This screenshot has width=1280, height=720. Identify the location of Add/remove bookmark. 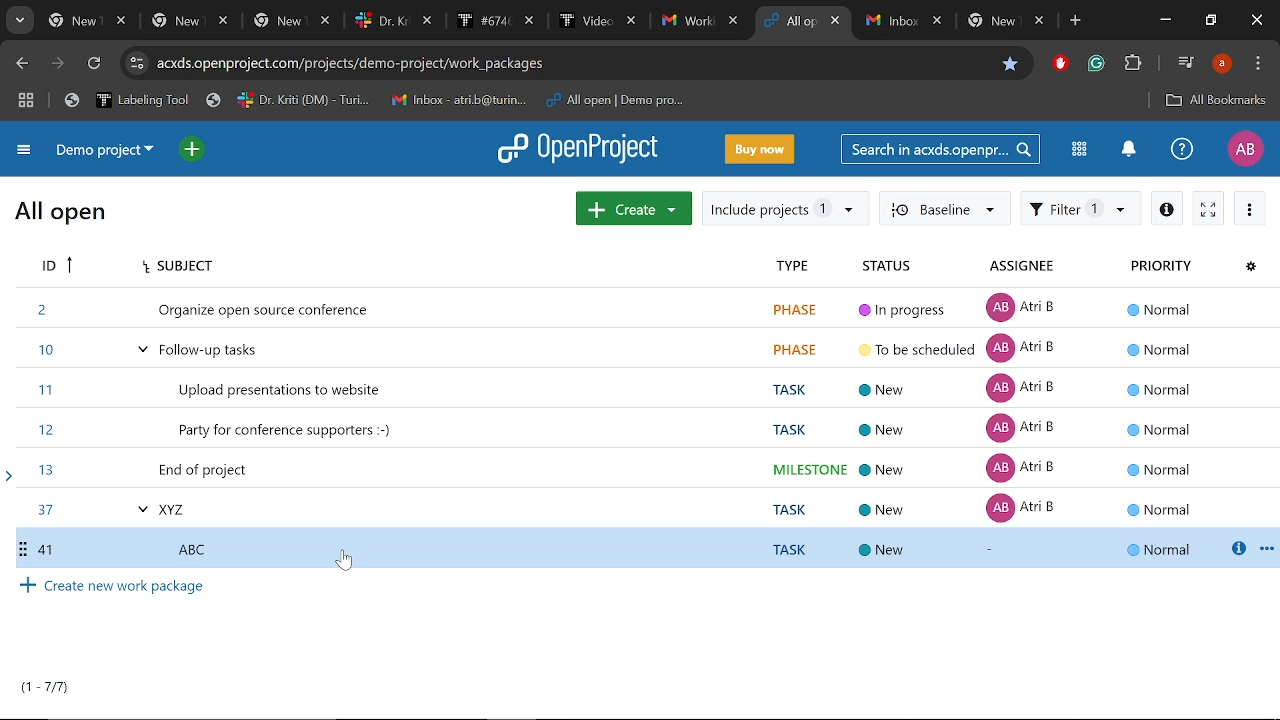
(1010, 64).